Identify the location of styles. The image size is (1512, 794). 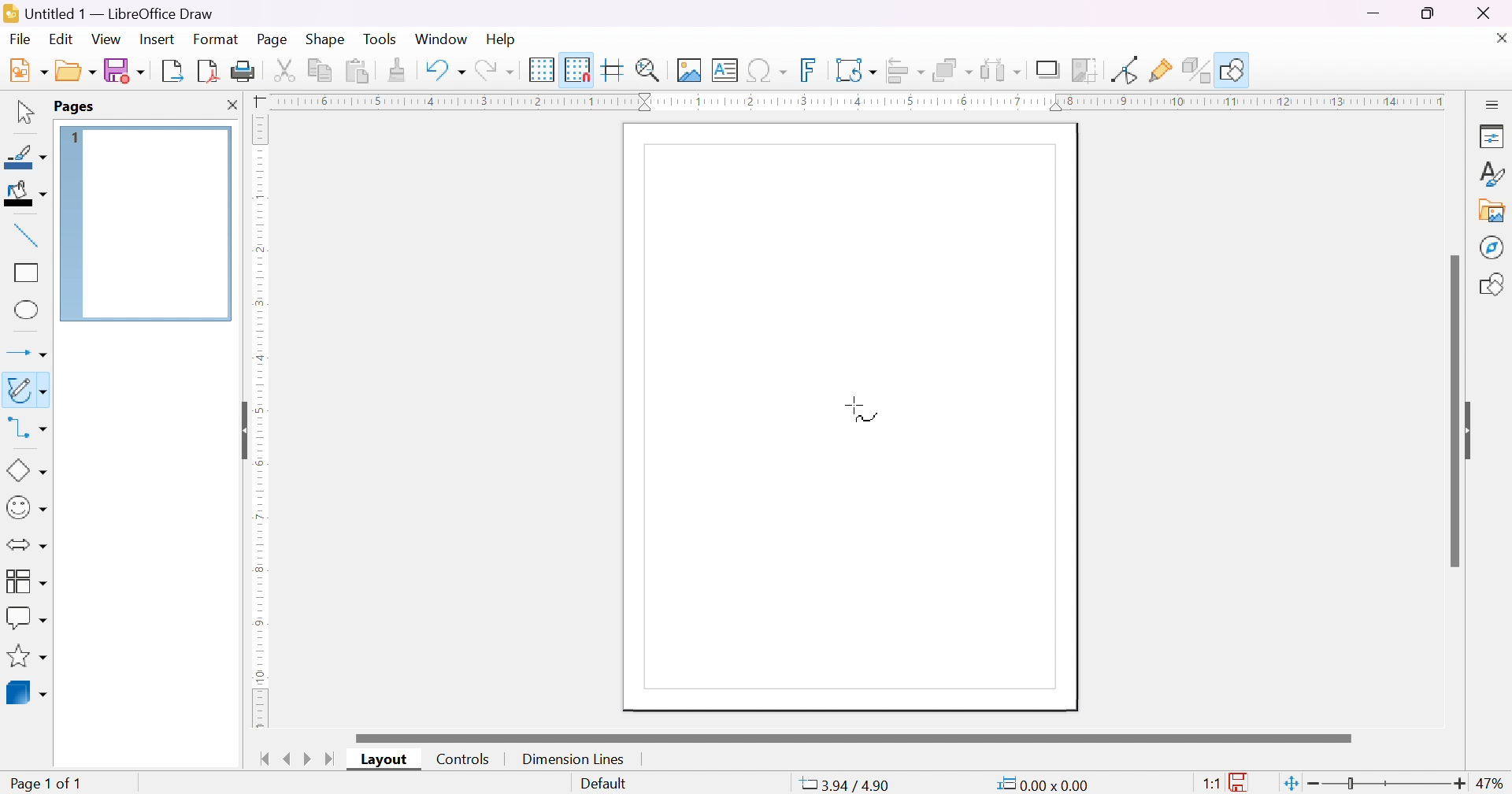
(1492, 173).